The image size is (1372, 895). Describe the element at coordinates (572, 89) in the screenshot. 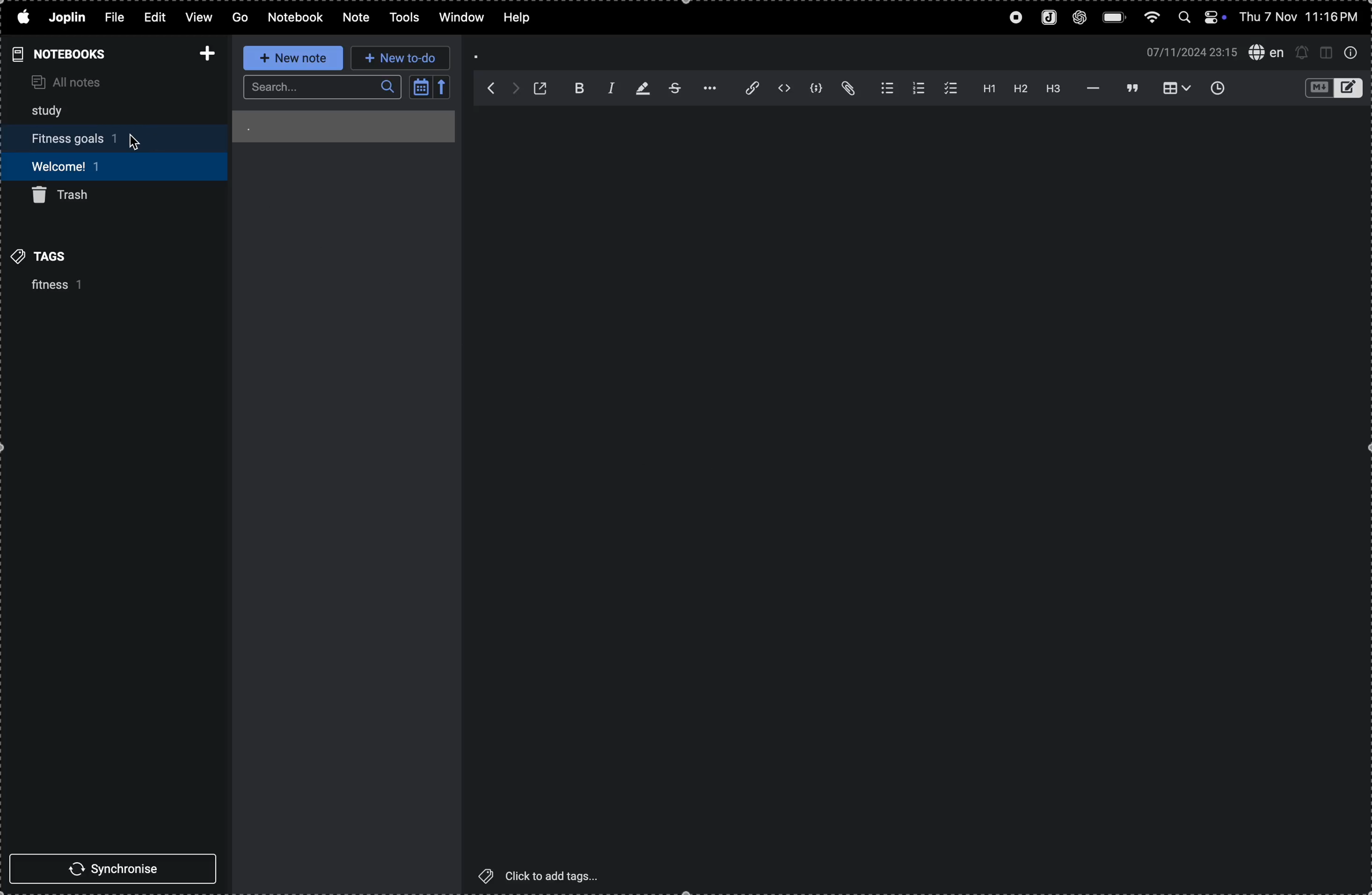

I see `bold` at that location.